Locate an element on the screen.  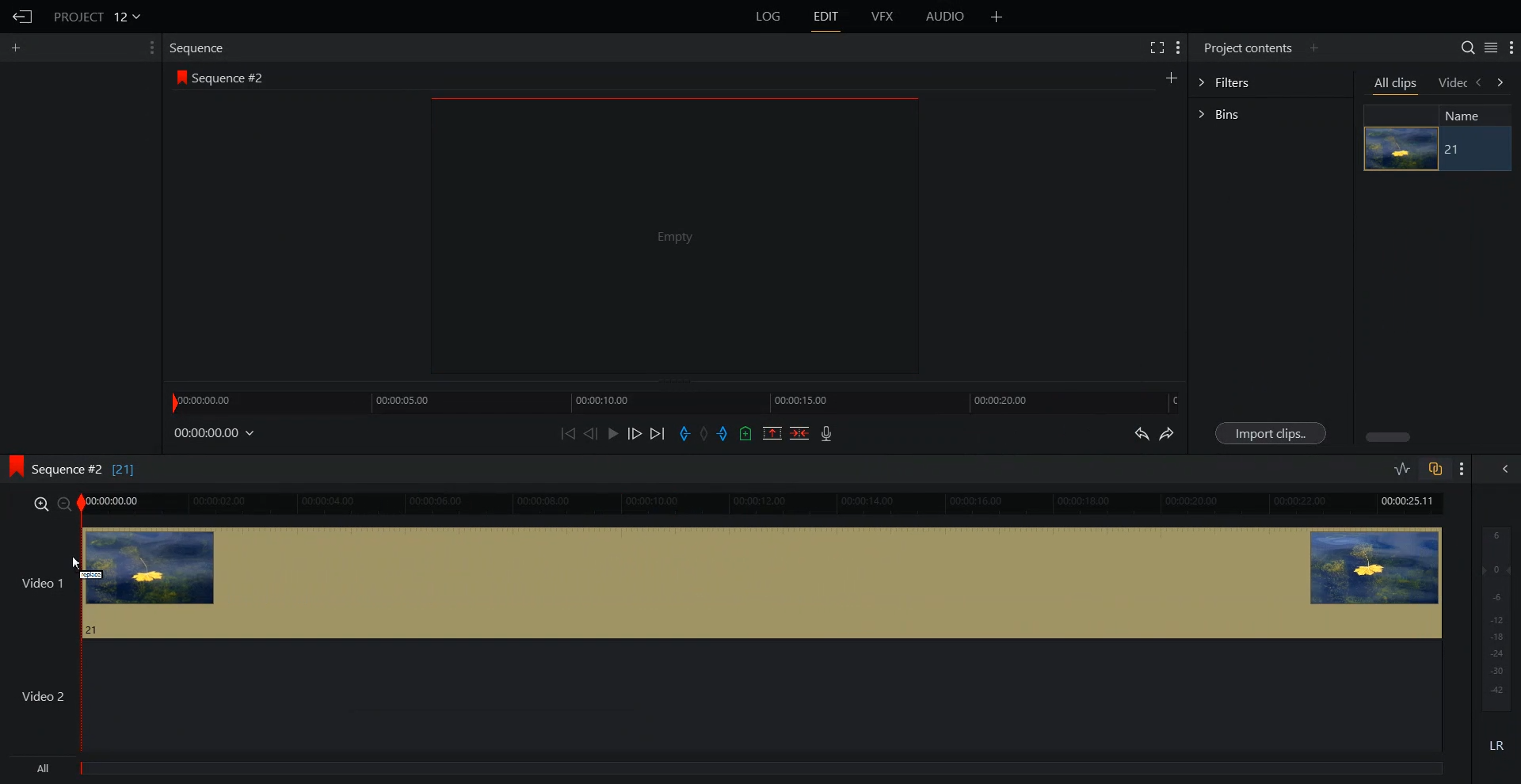
Zoom in is located at coordinates (40, 503).